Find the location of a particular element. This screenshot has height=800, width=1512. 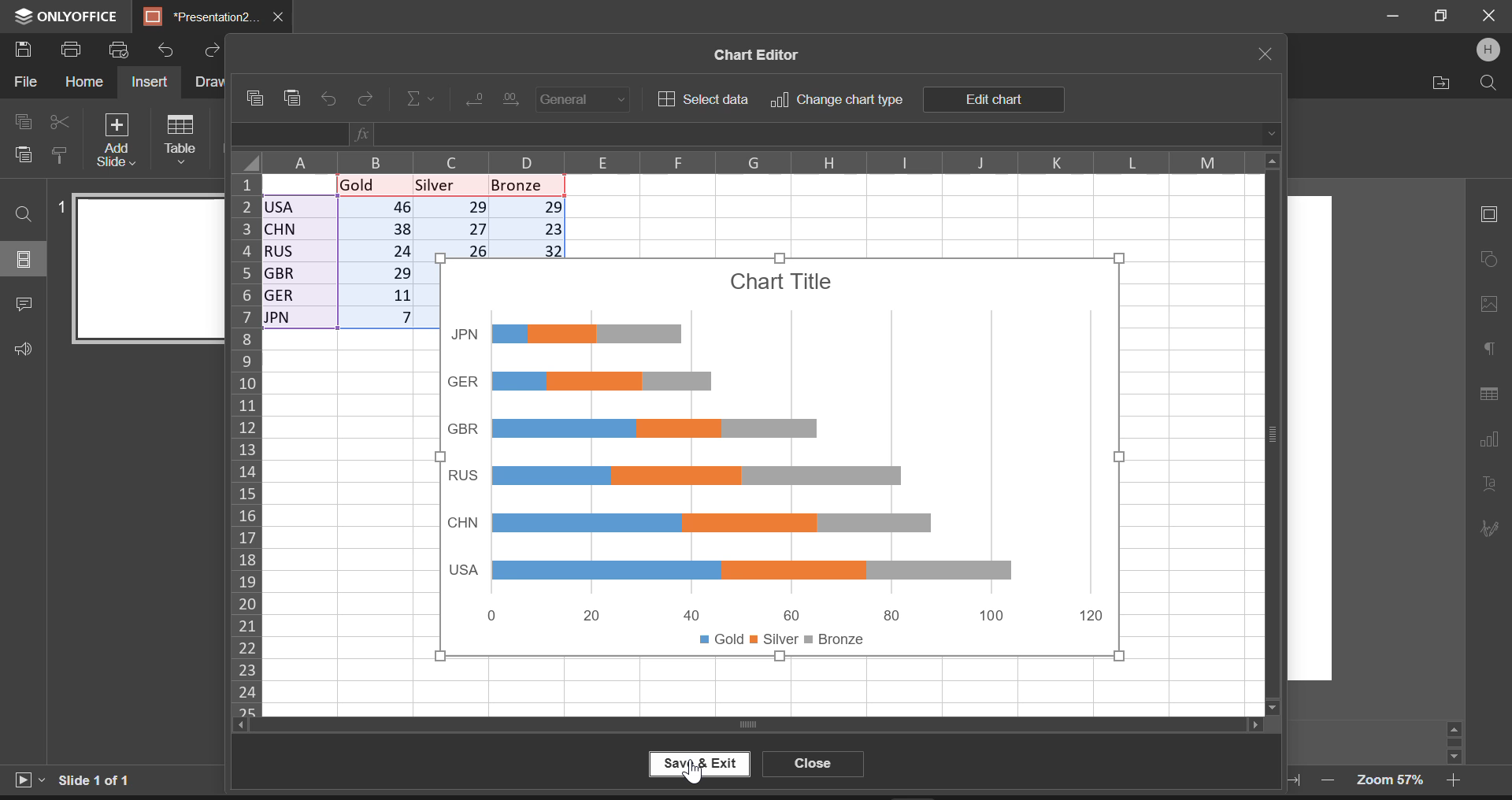

Number Format: General is located at coordinates (583, 99).